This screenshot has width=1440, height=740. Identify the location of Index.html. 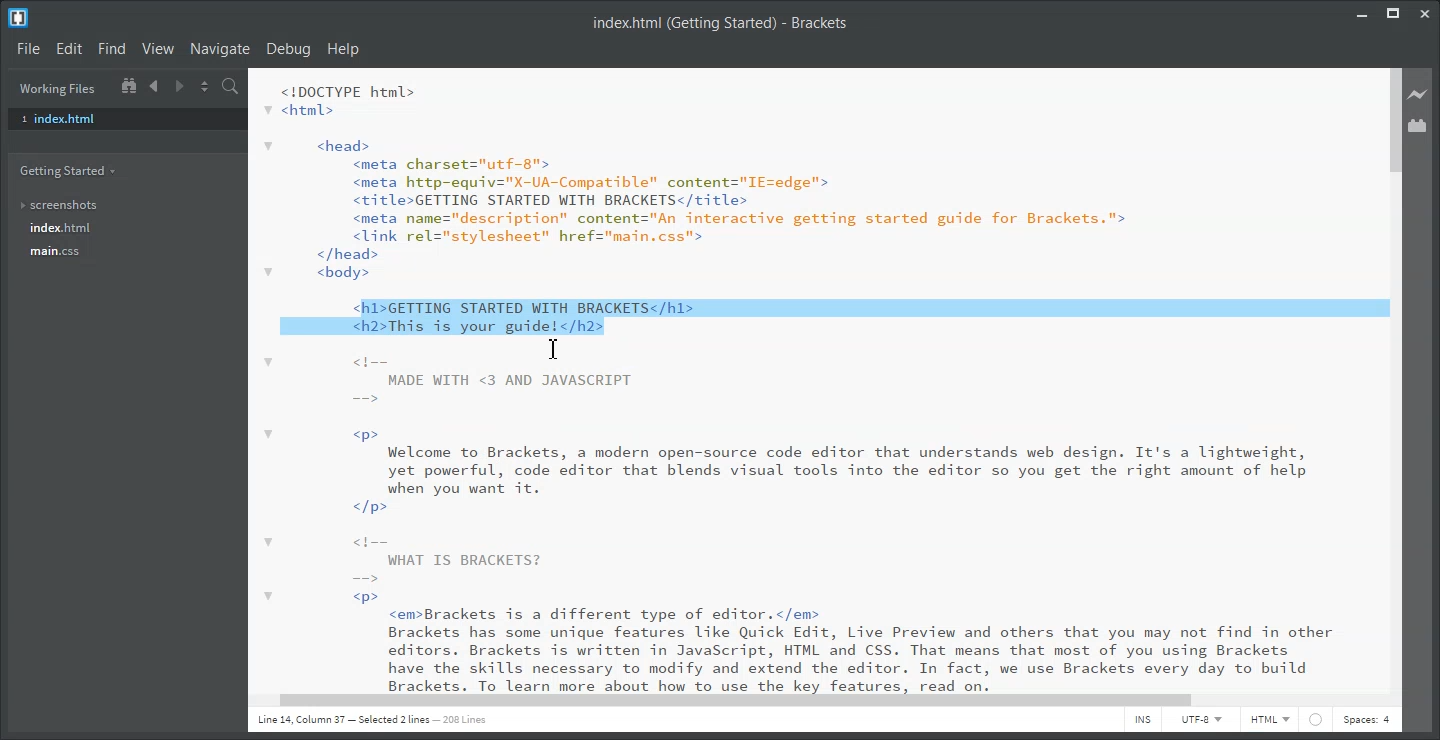
(126, 119).